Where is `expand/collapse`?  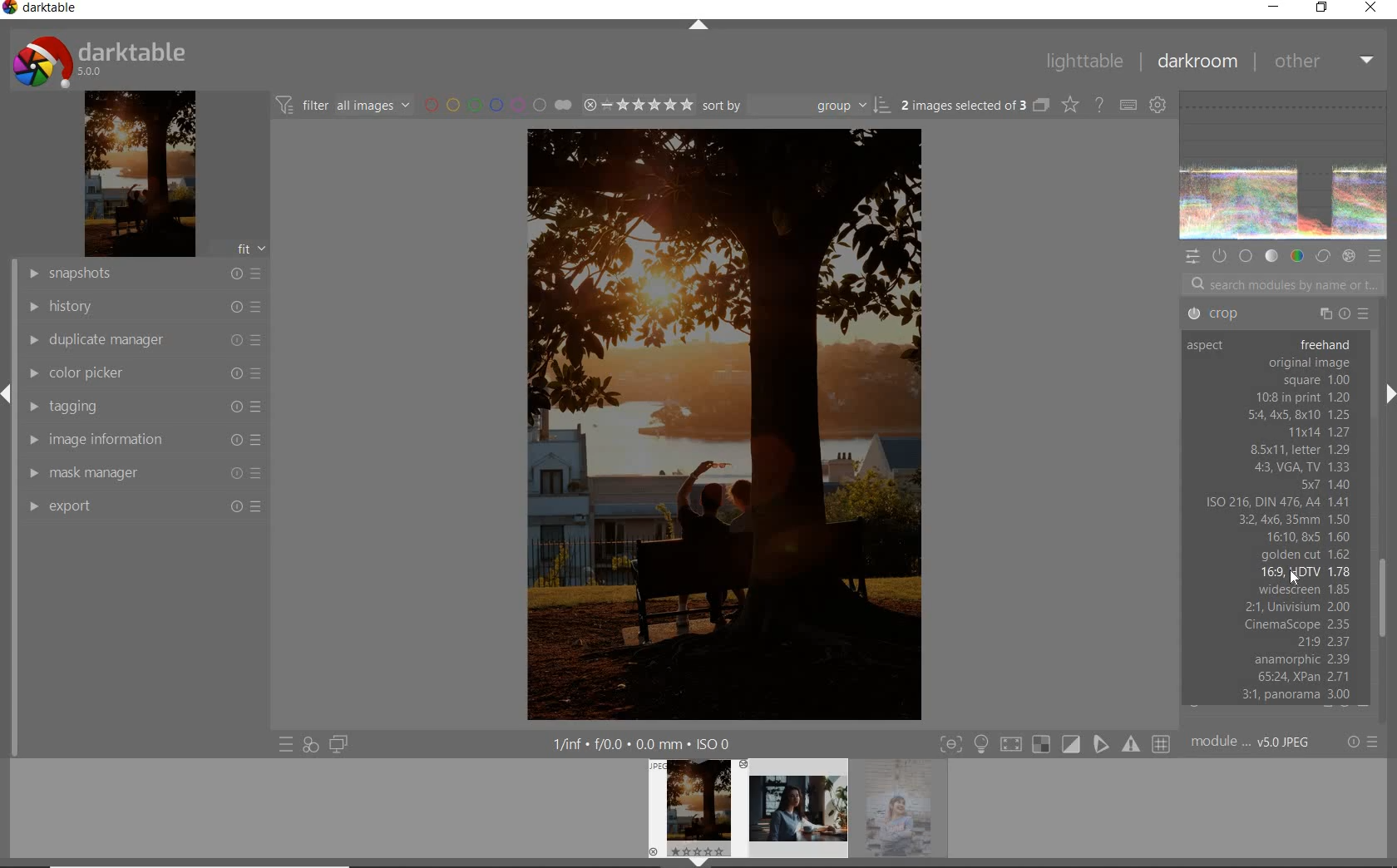 expand/collapse is located at coordinates (698, 28).